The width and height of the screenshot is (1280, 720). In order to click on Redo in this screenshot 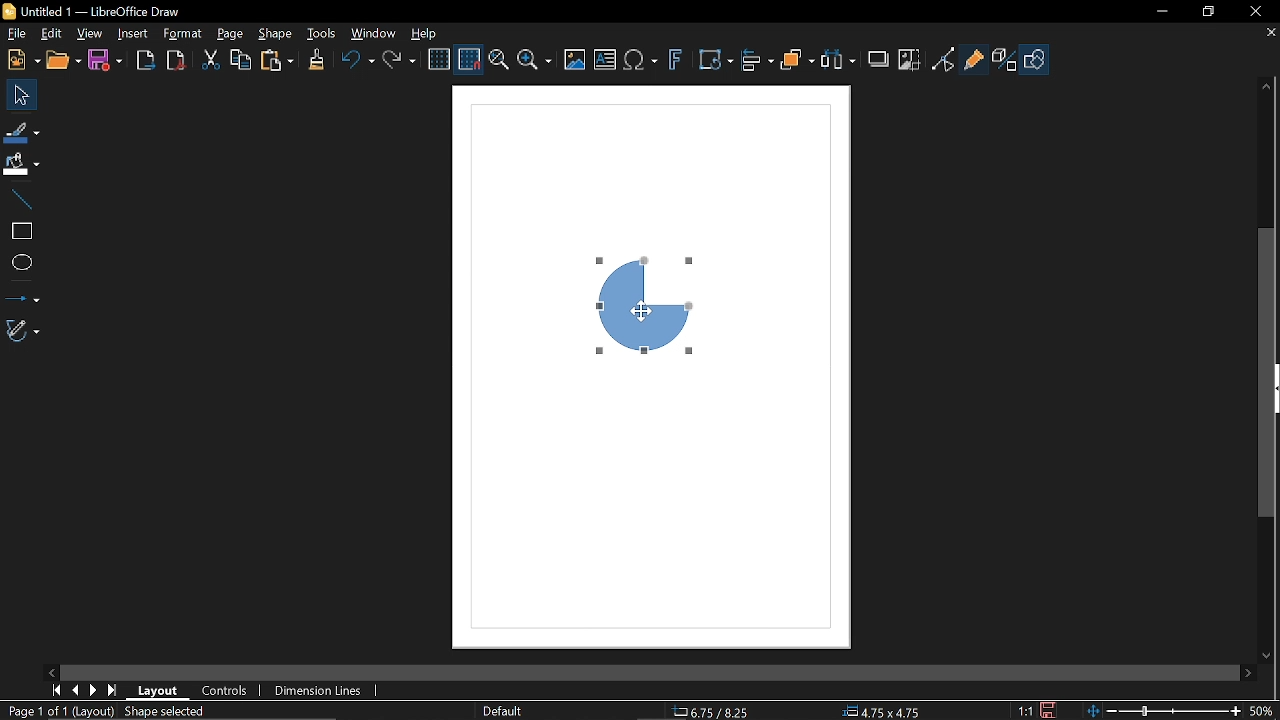, I will do `click(402, 61)`.